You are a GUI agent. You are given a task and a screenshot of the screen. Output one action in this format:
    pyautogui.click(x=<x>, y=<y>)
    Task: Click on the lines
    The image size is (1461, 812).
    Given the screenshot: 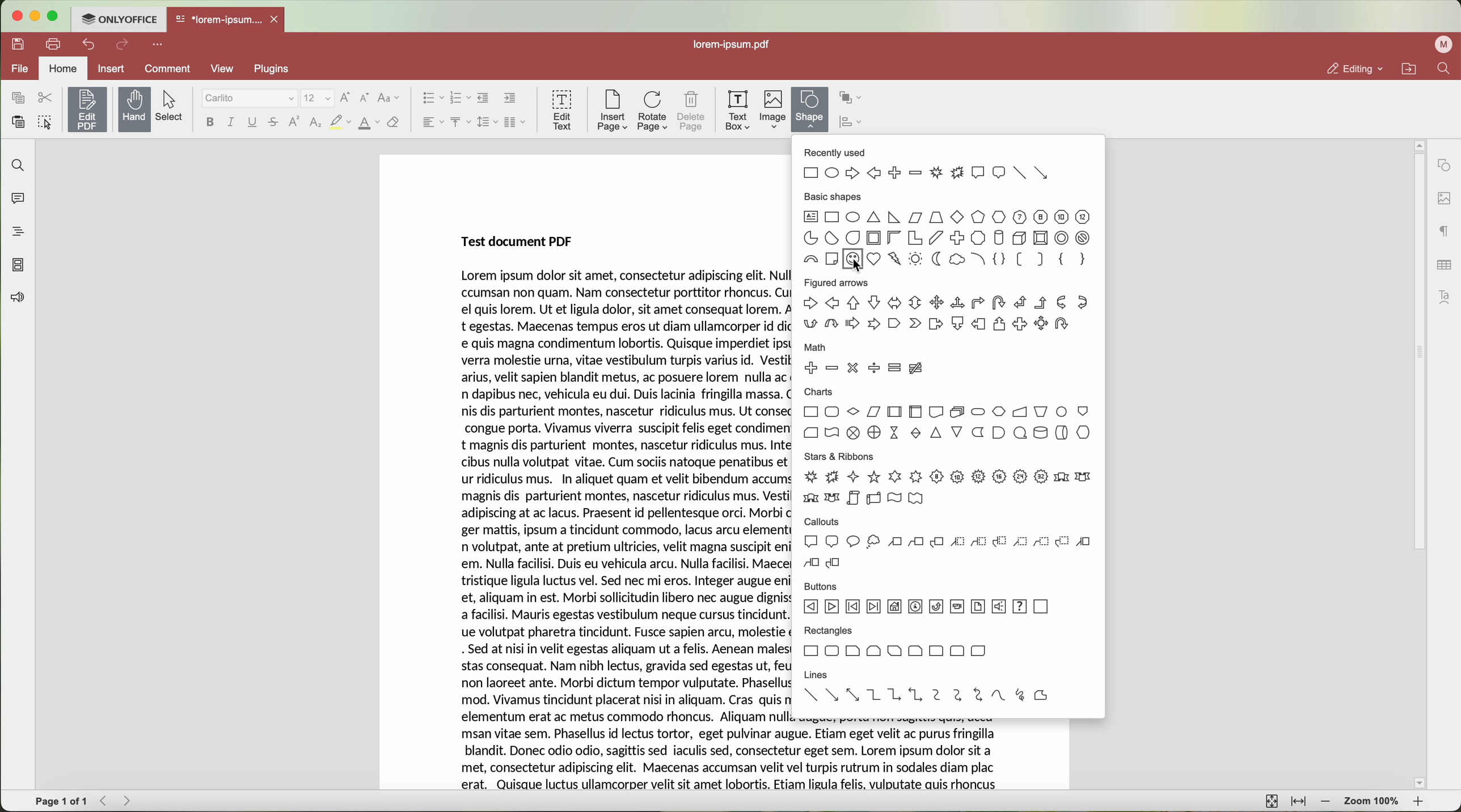 What is the action you would take?
    pyautogui.click(x=922, y=690)
    